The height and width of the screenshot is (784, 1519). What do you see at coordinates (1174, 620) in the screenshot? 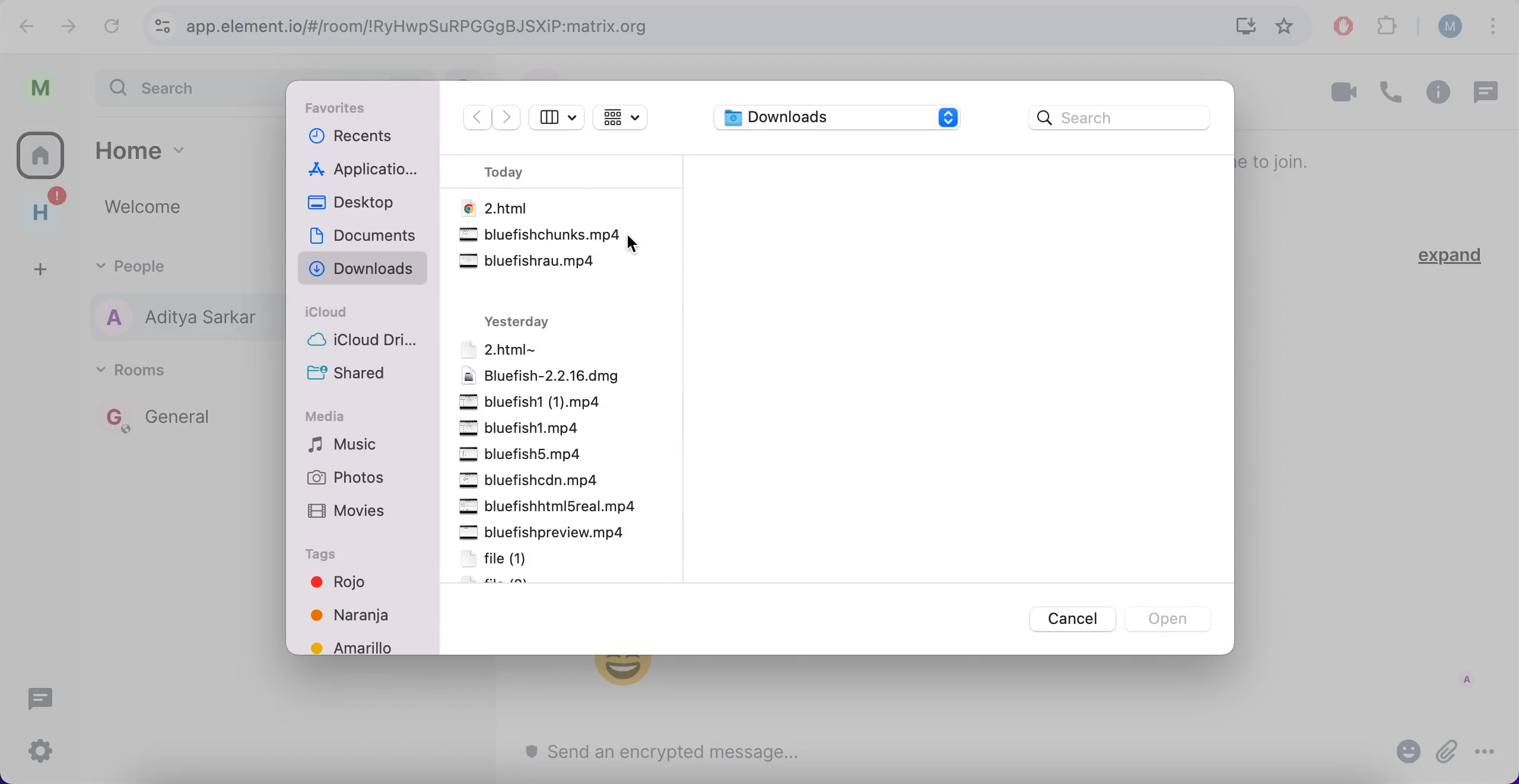
I see `open` at bounding box center [1174, 620].